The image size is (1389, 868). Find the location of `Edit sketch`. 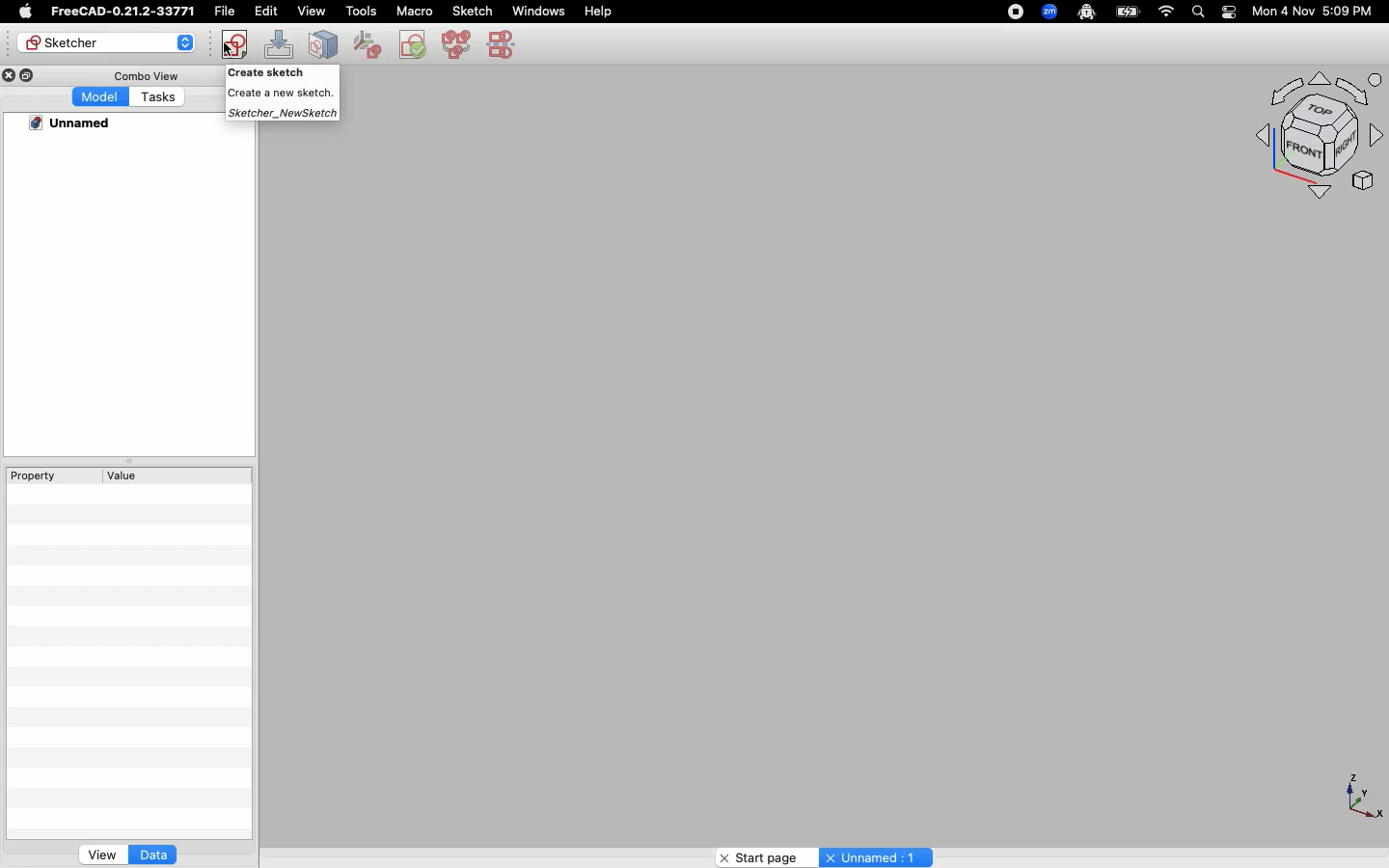

Edit sketch is located at coordinates (280, 43).